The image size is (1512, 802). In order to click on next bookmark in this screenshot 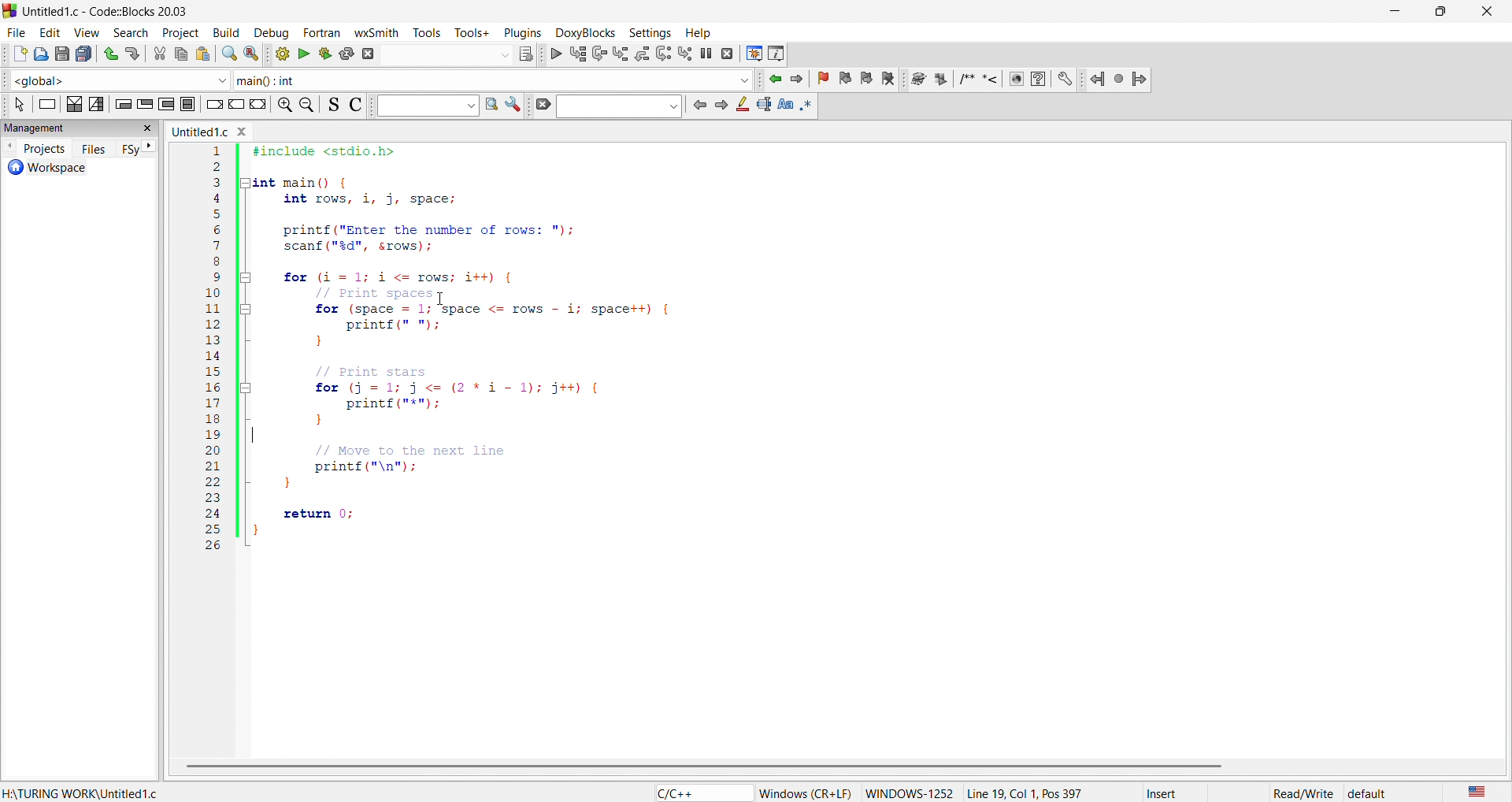, I will do `click(868, 77)`.